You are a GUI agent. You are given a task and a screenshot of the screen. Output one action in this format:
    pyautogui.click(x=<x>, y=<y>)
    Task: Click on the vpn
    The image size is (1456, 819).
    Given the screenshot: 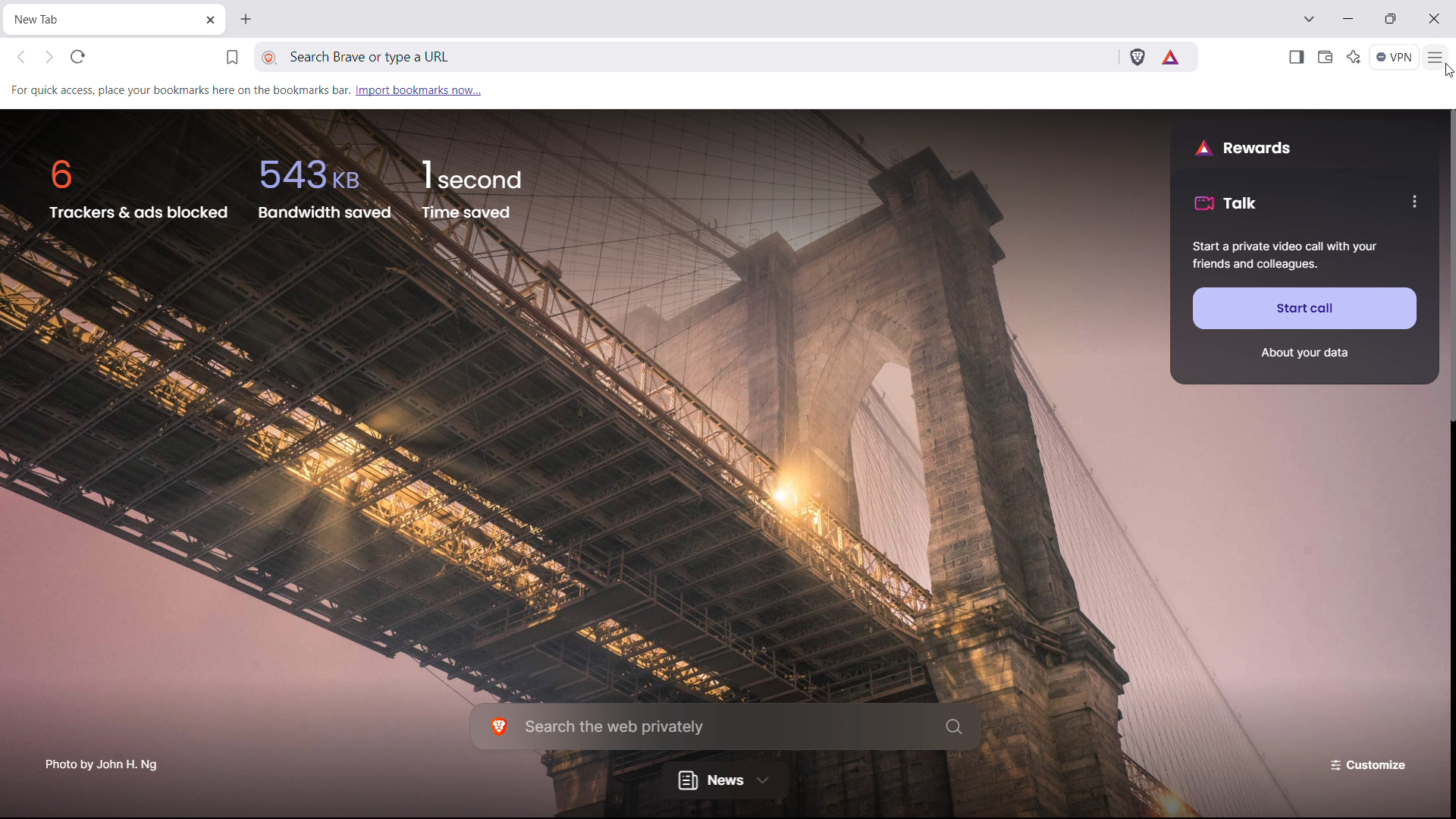 What is the action you would take?
    pyautogui.click(x=1394, y=58)
    